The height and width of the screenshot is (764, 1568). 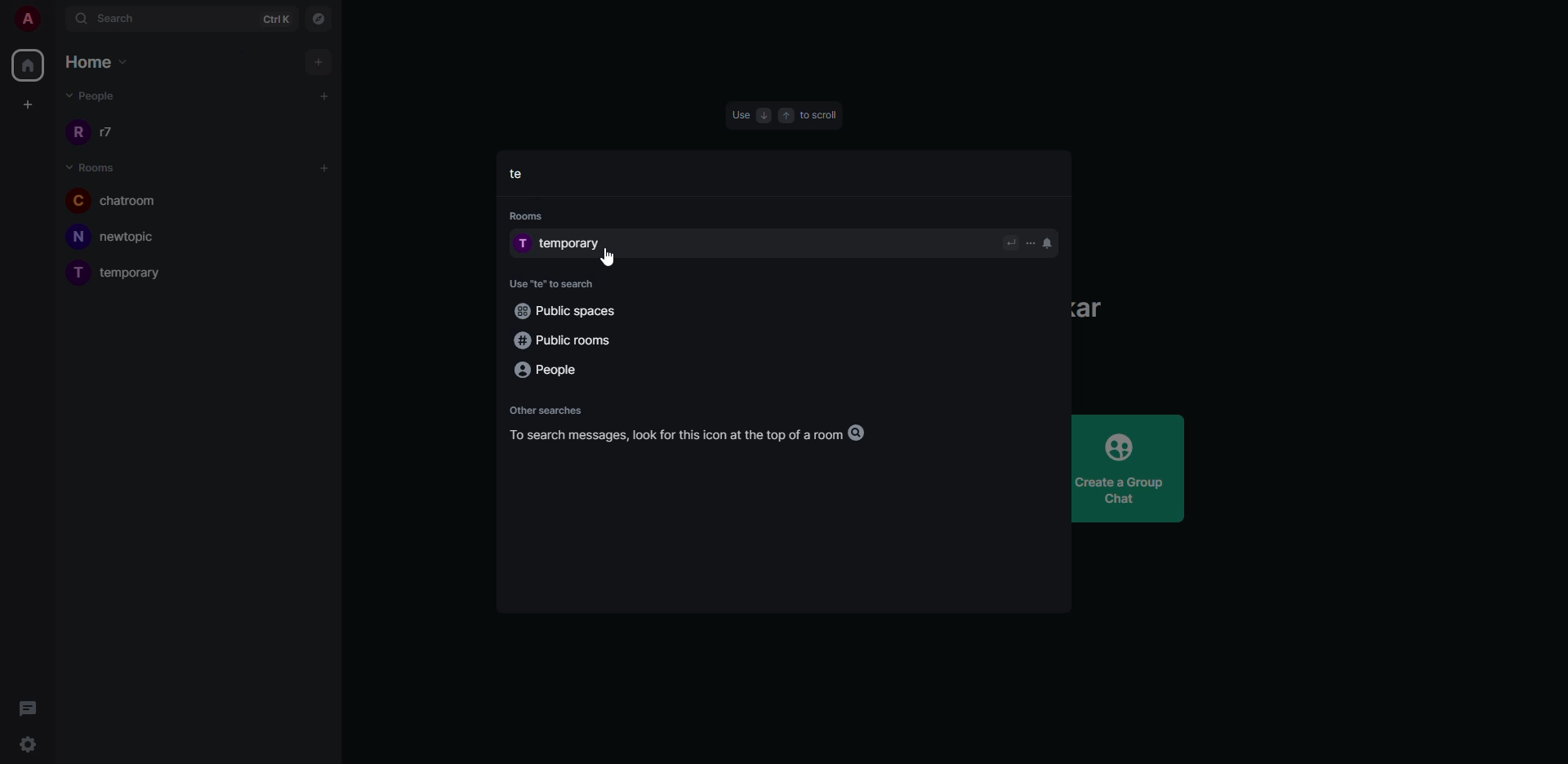 What do you see at coordinates (821, 116) in the screenshot?
I see `to scroll` at bounding box center [821, 116].